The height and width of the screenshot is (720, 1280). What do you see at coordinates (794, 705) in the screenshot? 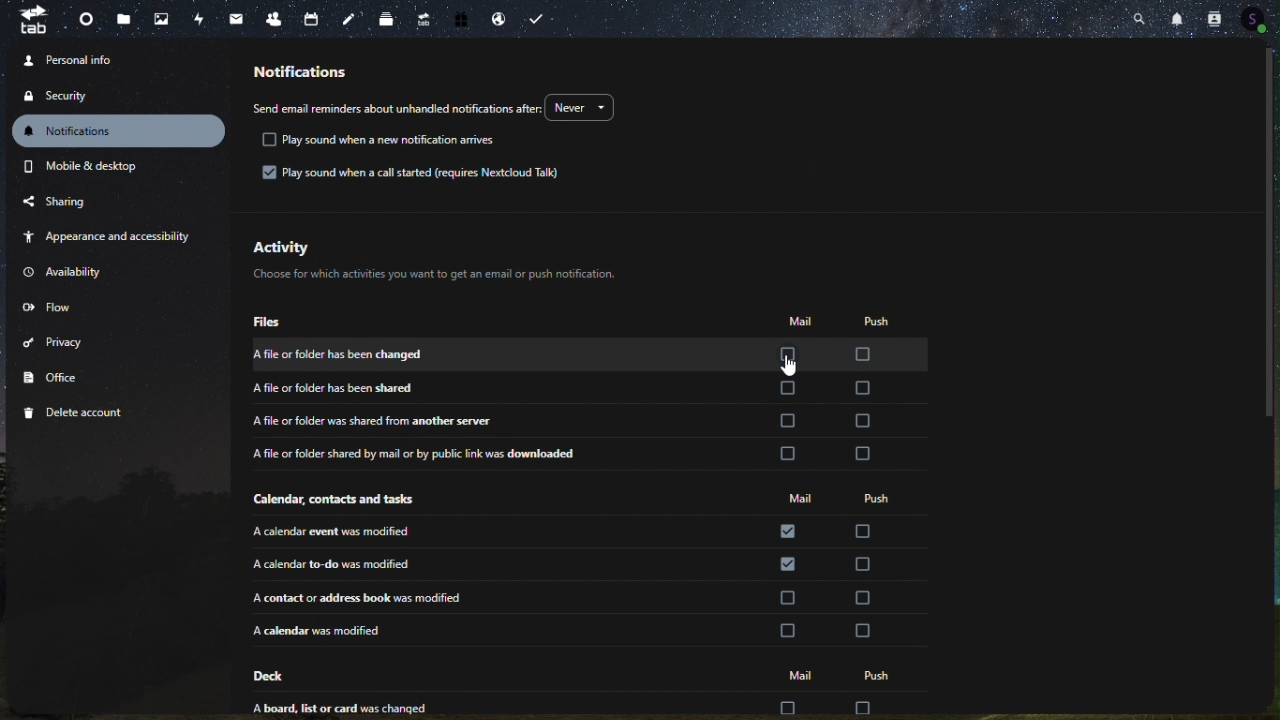
I see `check box` at bounding box center [794, 705].